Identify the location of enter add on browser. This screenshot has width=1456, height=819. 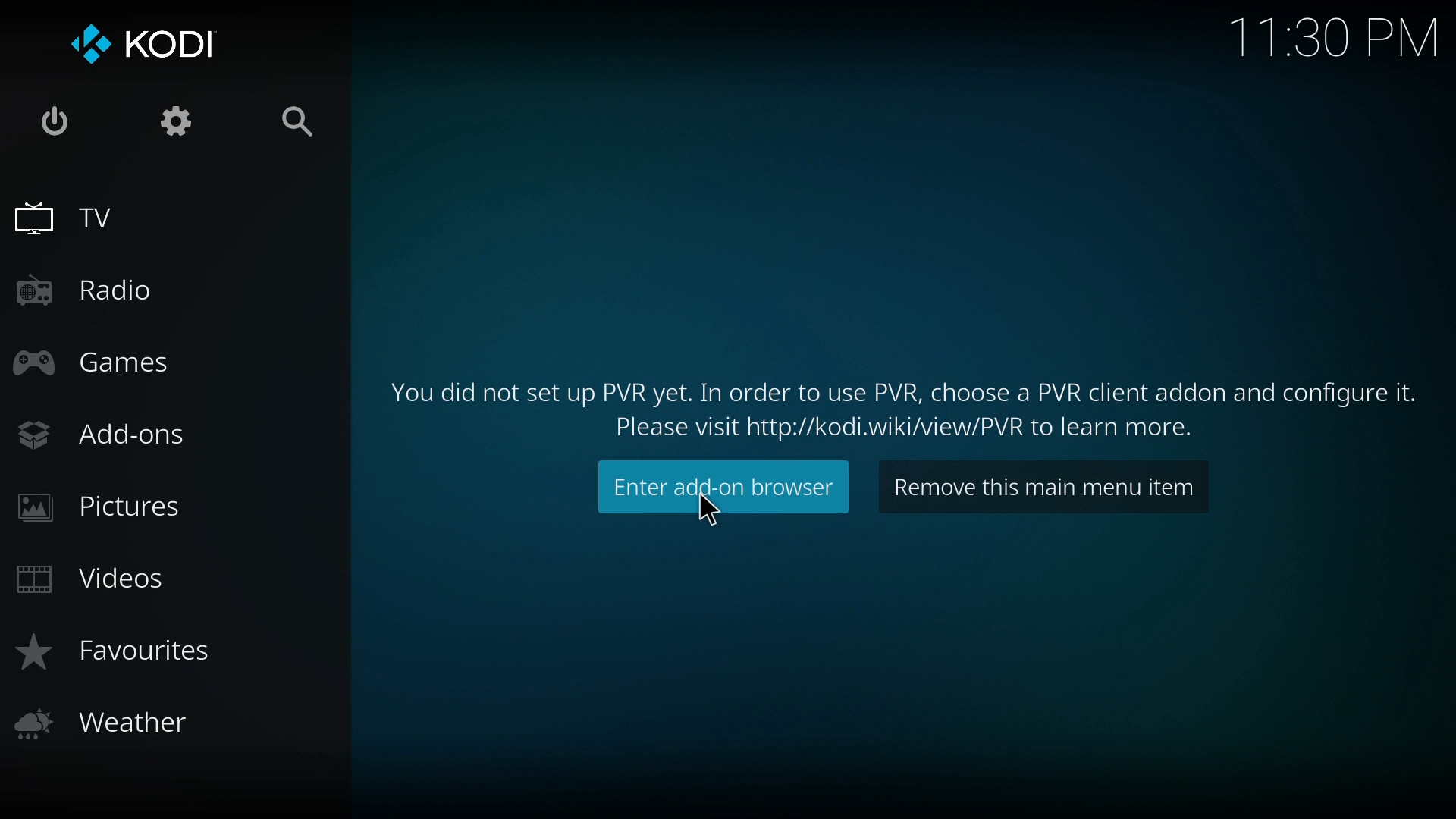
(720, 491).